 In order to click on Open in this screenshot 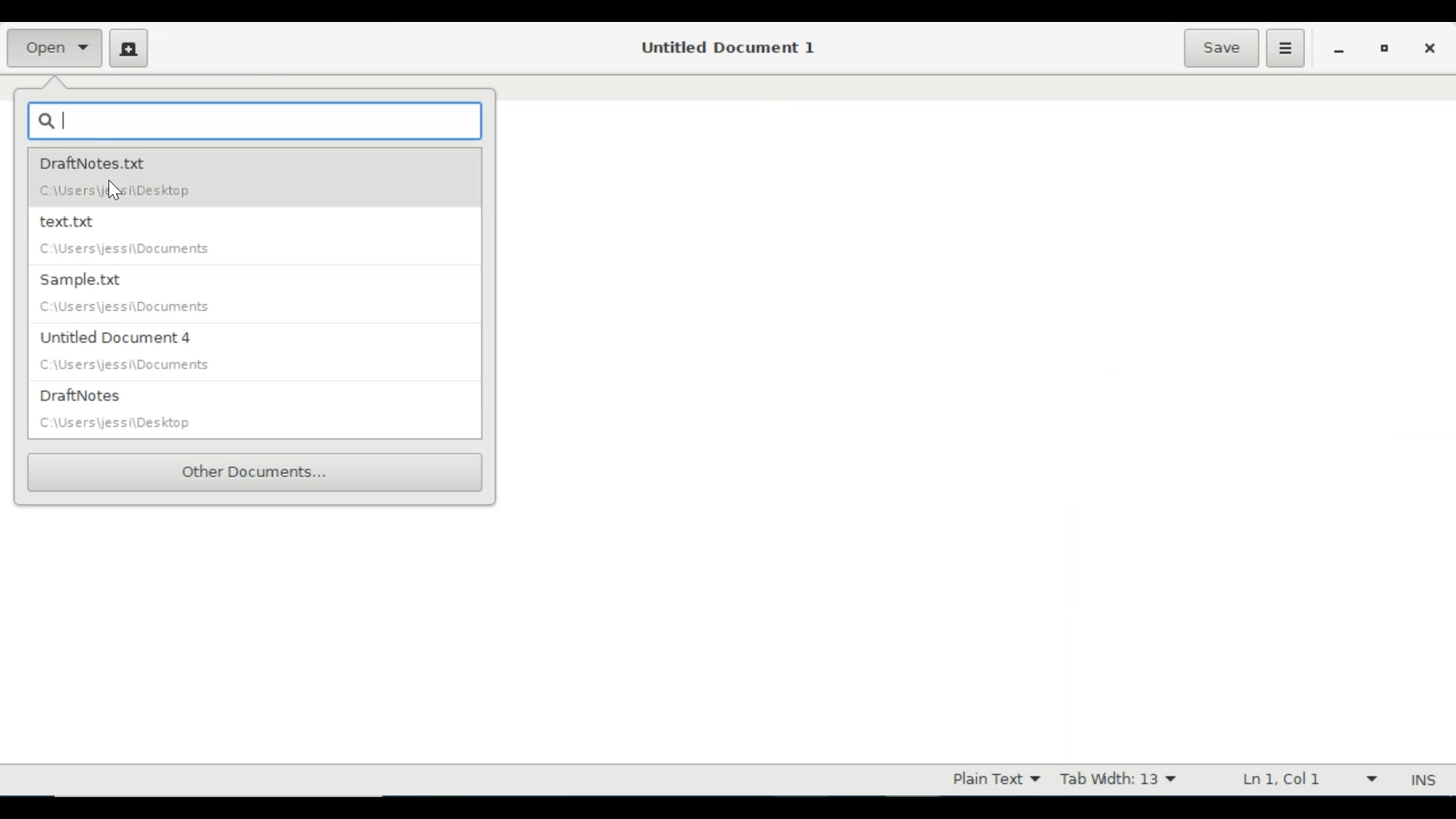, I will do `click(55, 46)`.